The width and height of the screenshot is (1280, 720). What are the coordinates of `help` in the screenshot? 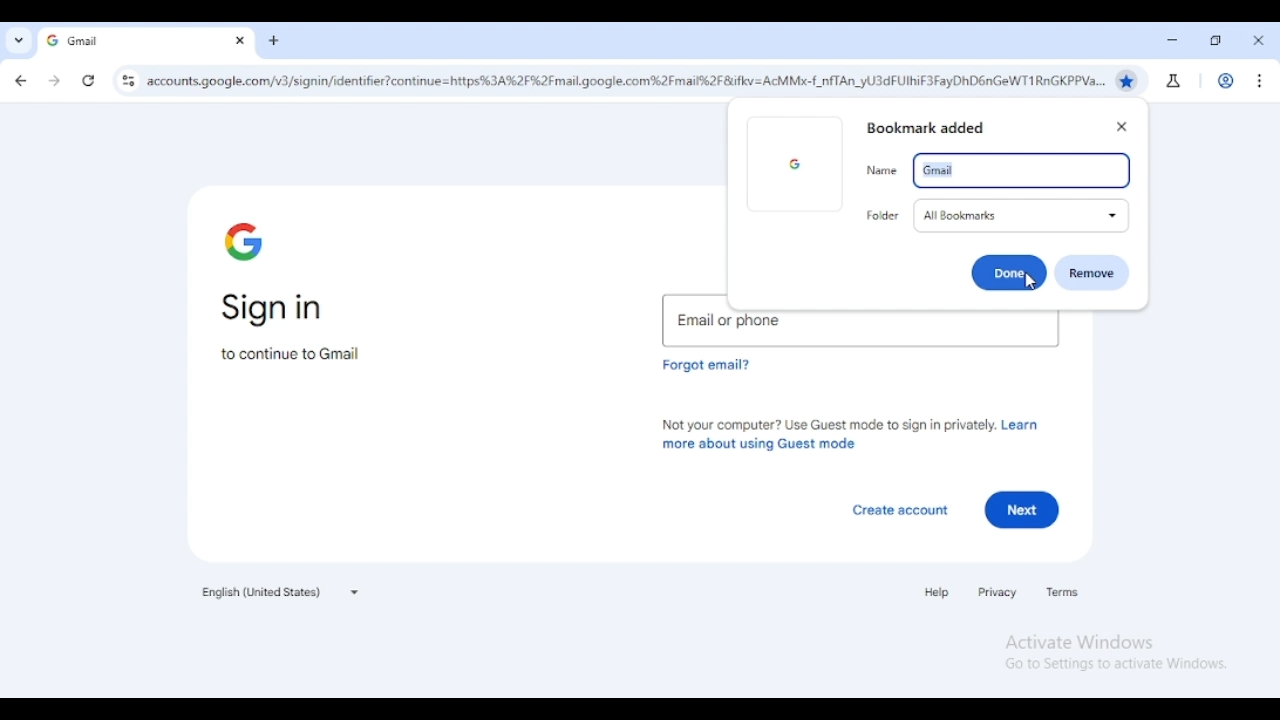 It's located at (937, 592).